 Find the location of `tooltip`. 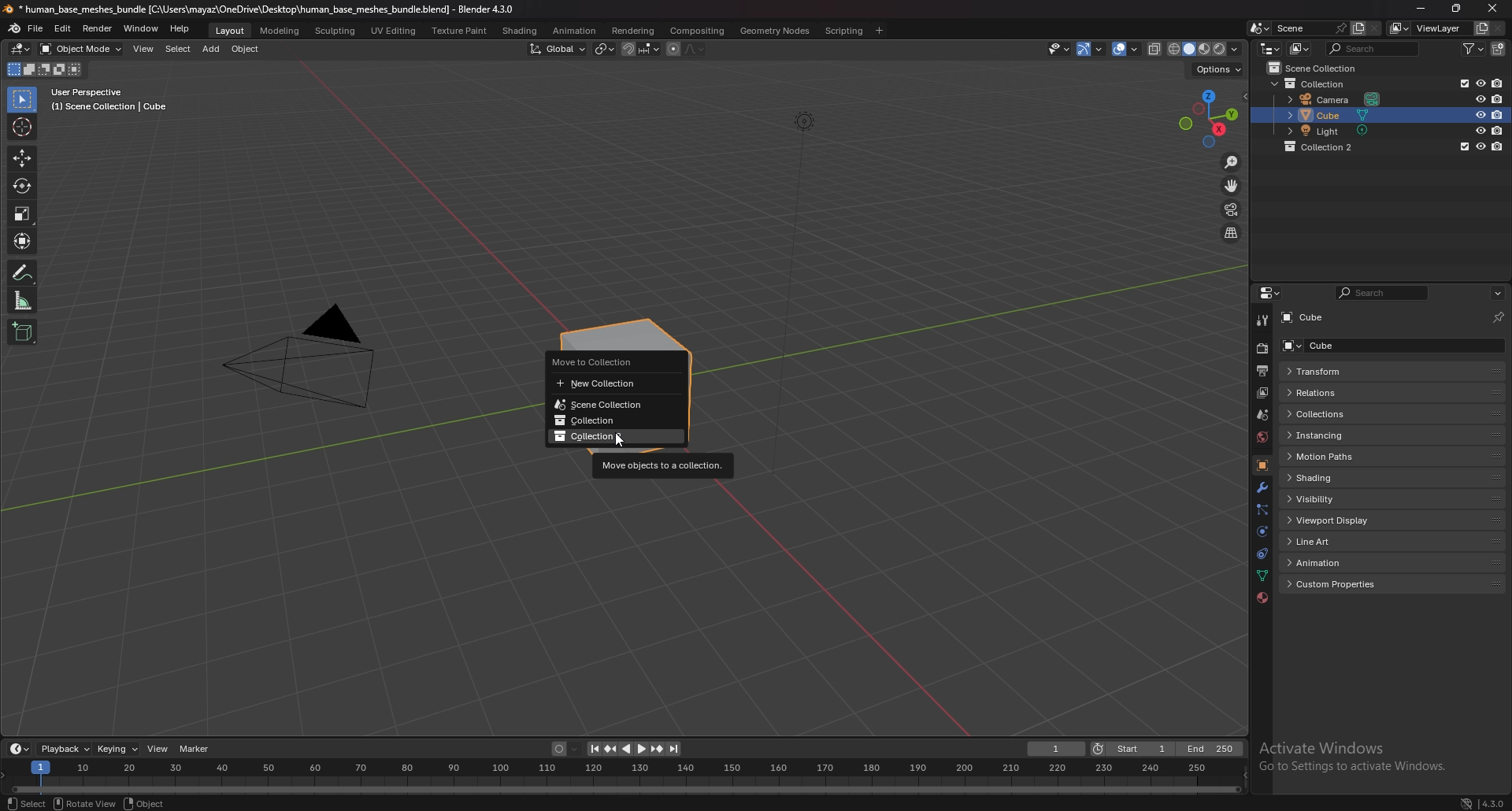

tooltip is located at coordinates (663, 465).